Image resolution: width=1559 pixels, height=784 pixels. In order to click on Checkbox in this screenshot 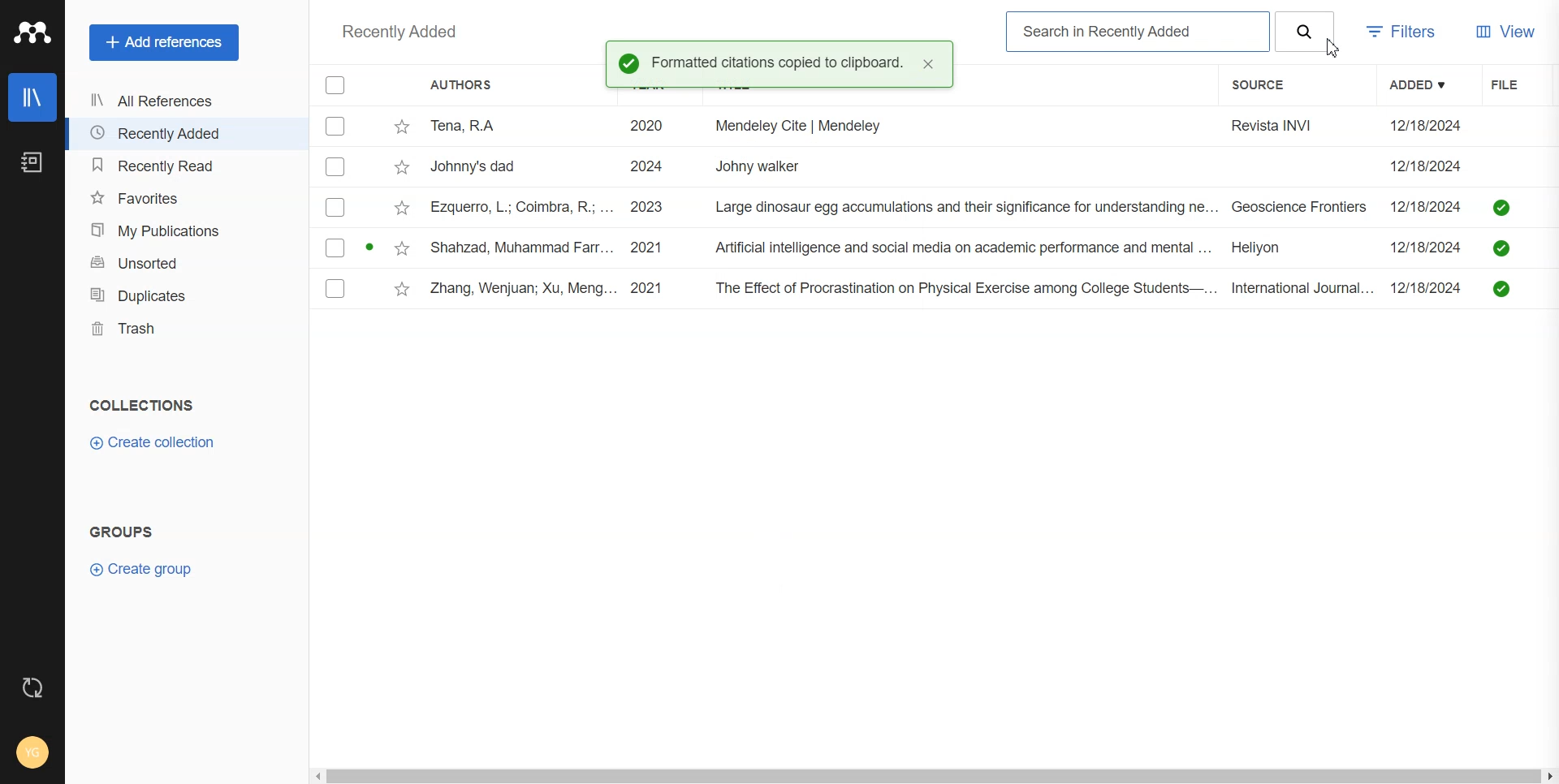, I will do `click(335, 84)`.